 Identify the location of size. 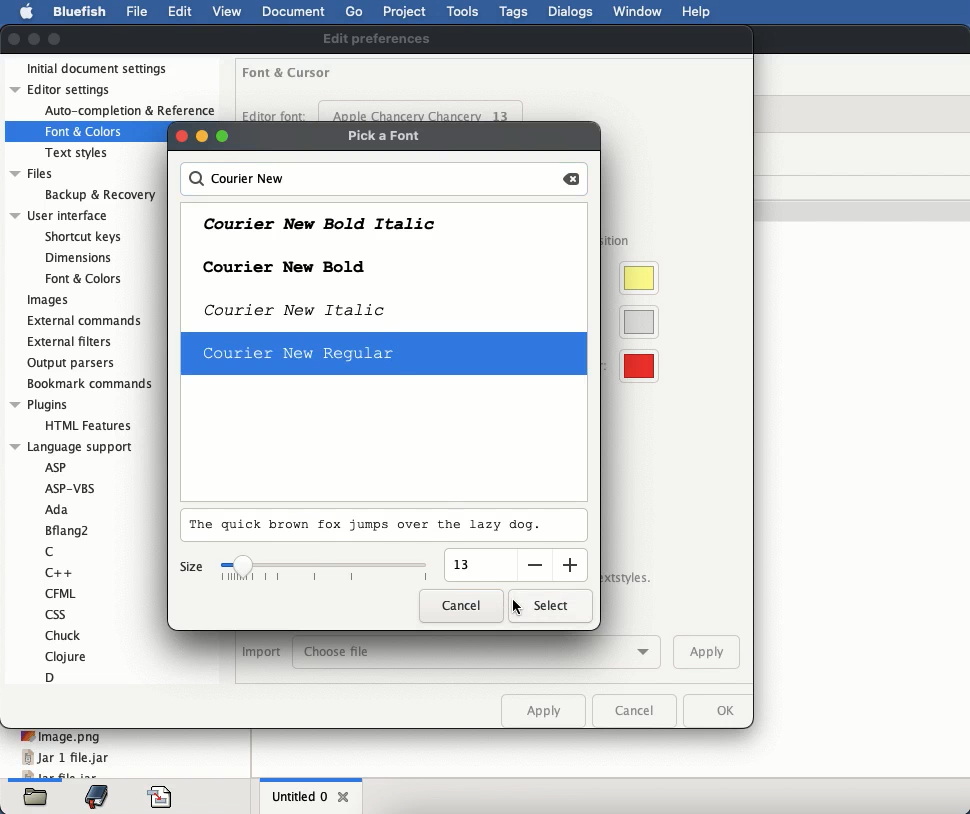
(309, 570).